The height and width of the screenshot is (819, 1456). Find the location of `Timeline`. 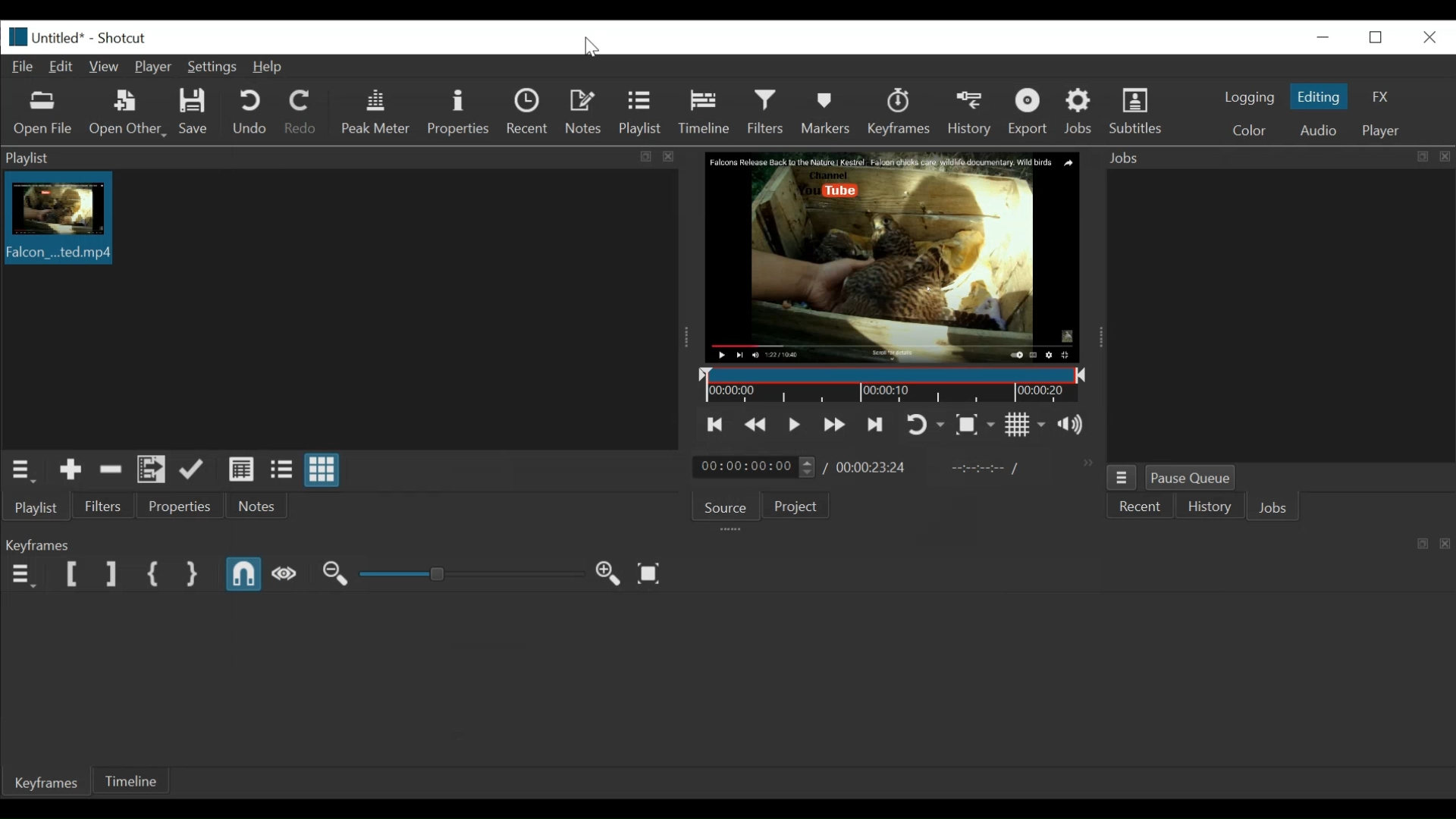

Timeline is located at coordinates (893, 385).